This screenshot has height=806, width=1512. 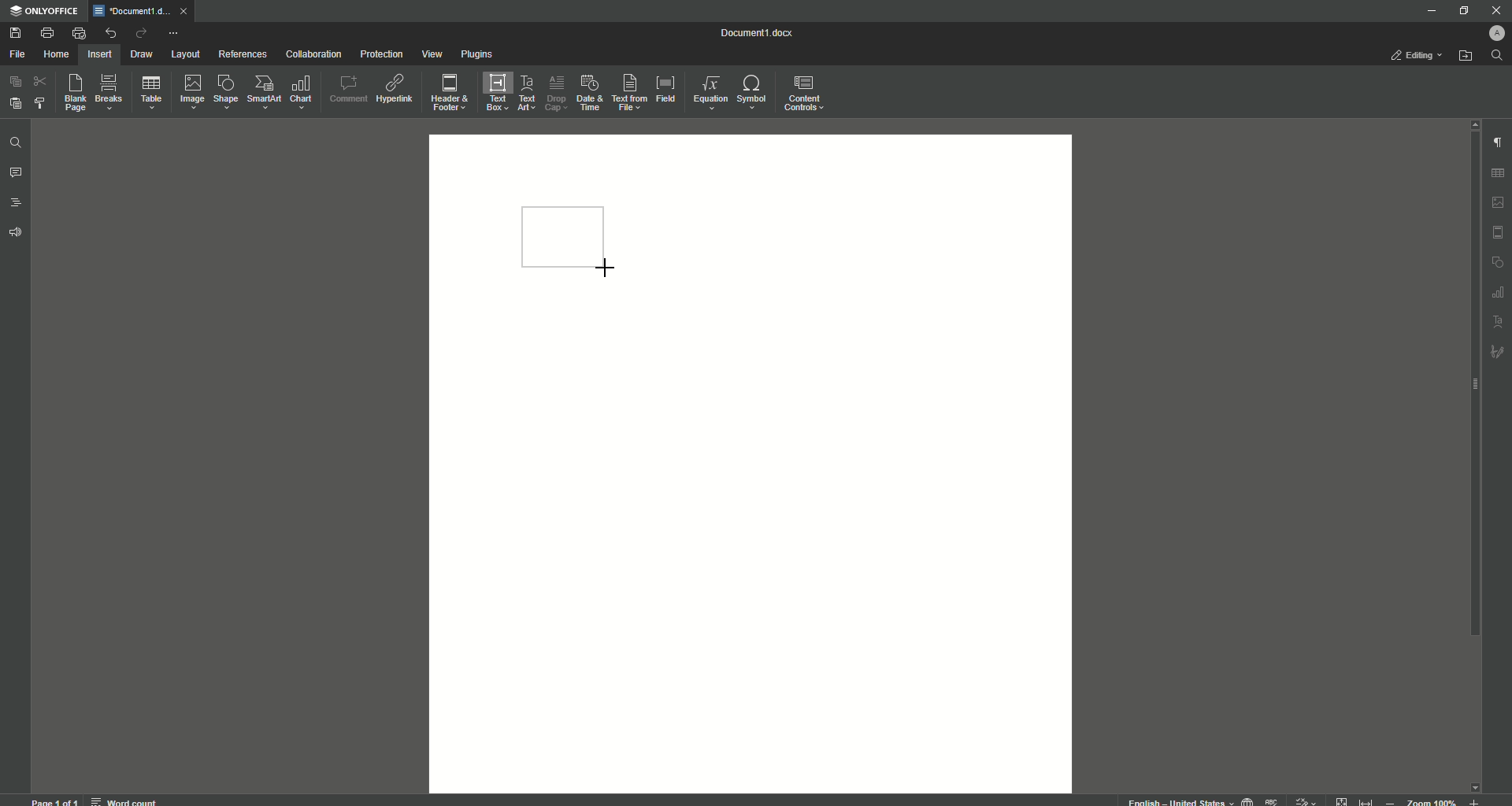 What do you see at coordinates (1471, 124) in the screenshot?
I see `scroll up` at bounding box center [1471, 124].